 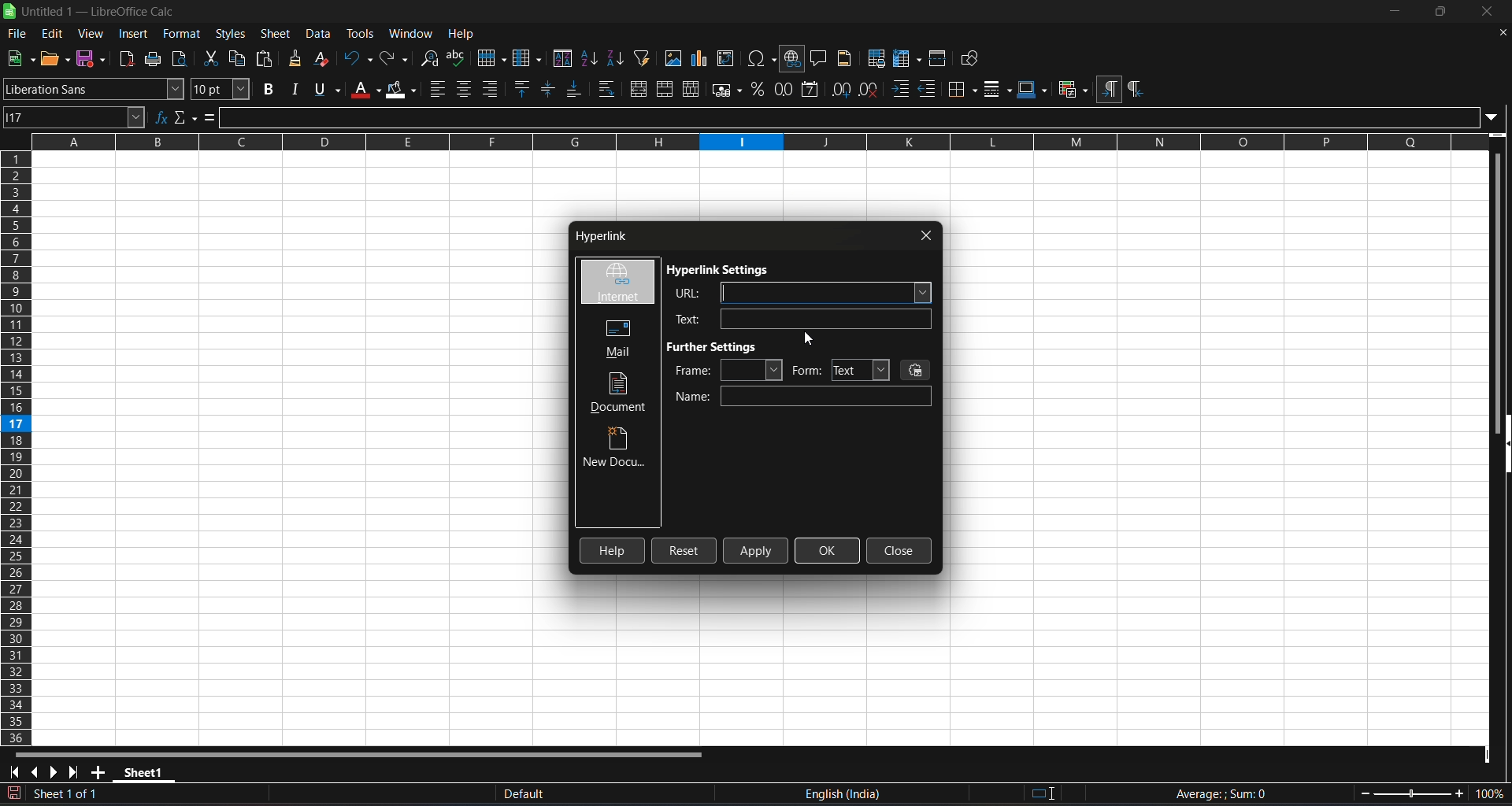 I want to click on wrap text, so click(x=608, y=89).